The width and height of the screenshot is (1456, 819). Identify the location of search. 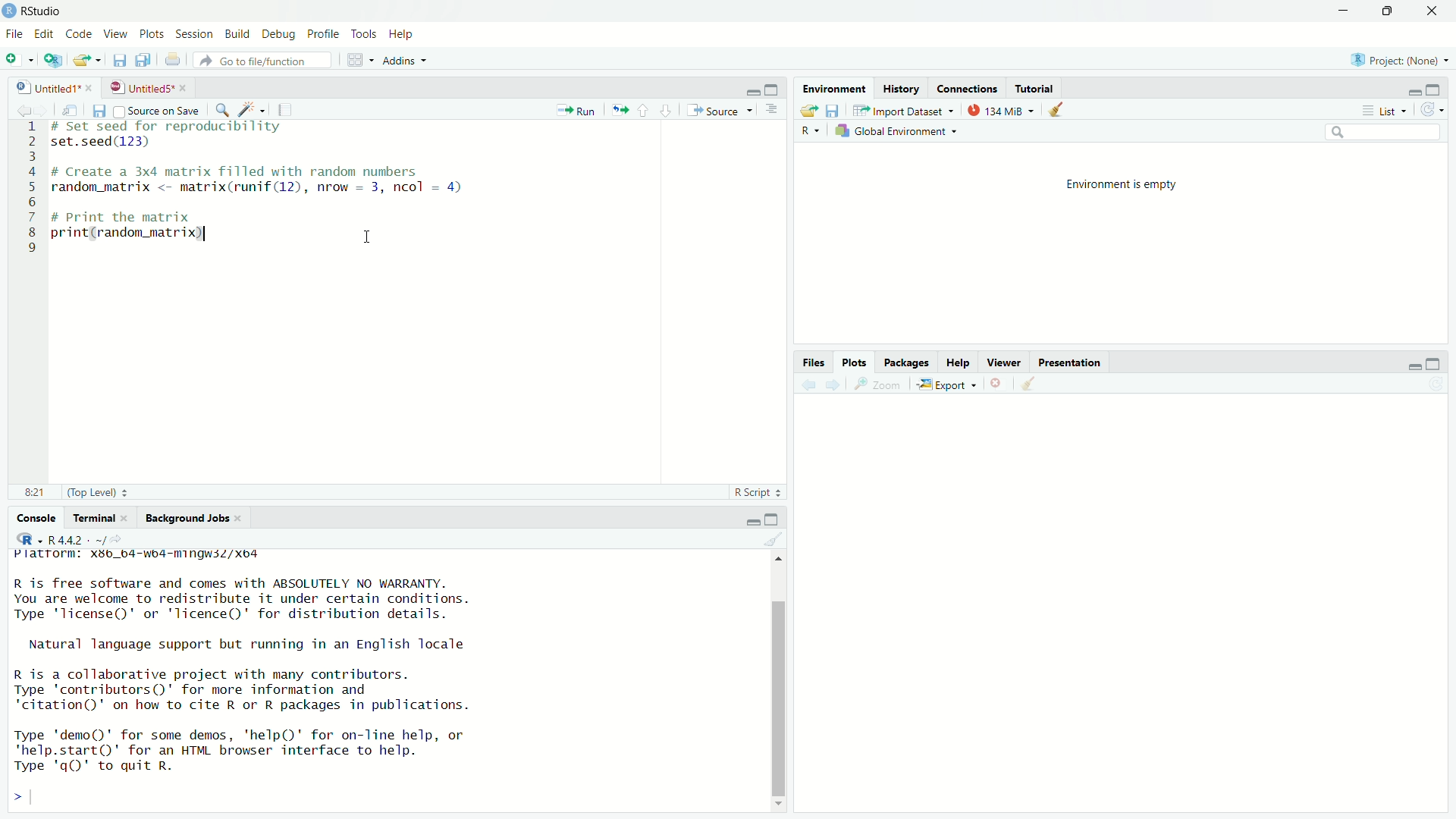
(1379, 136).